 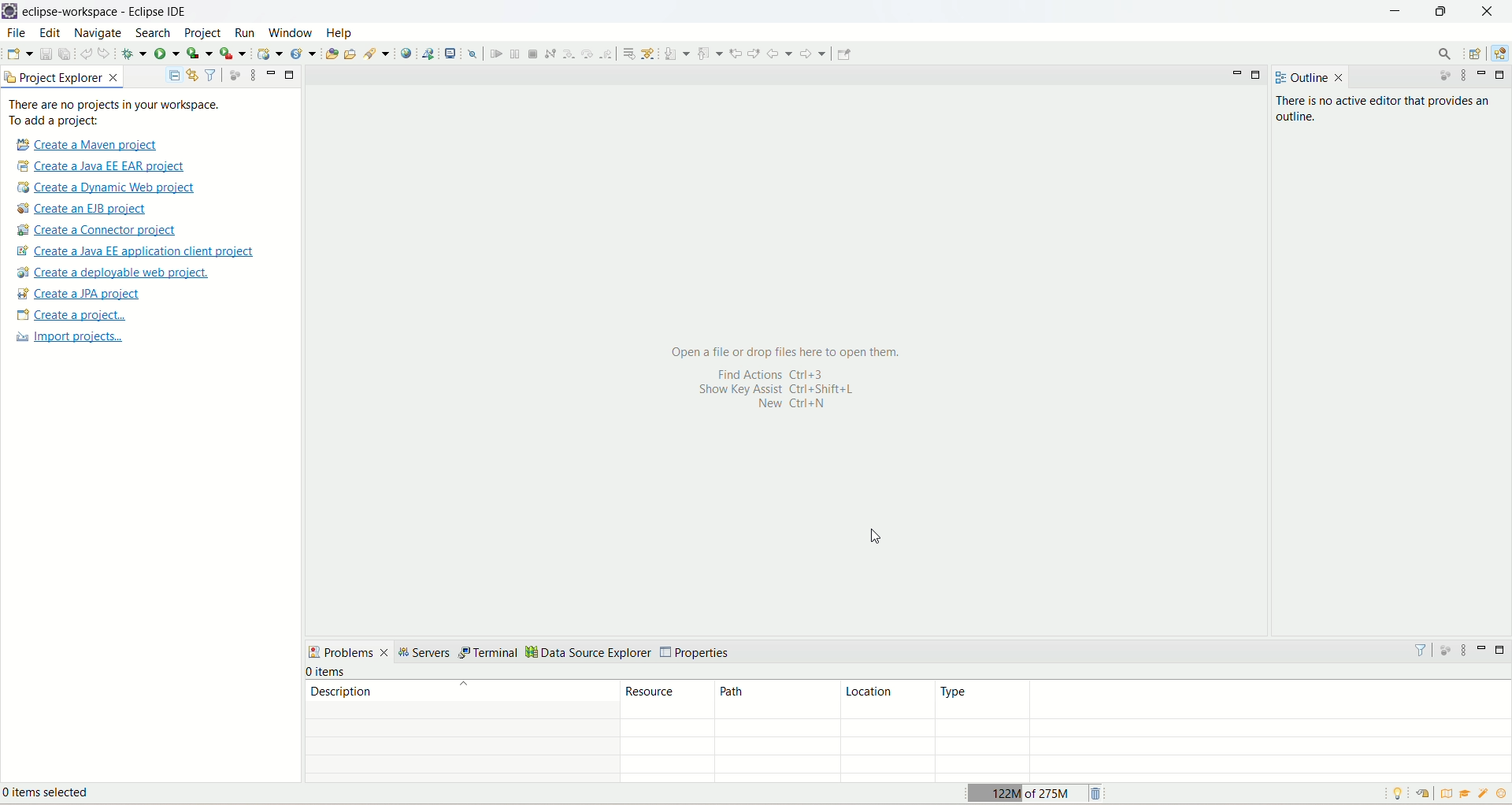 What do you see at coordinates (106, 53) in the screenshot?
I see `redo` at bounding box center [106, 53].